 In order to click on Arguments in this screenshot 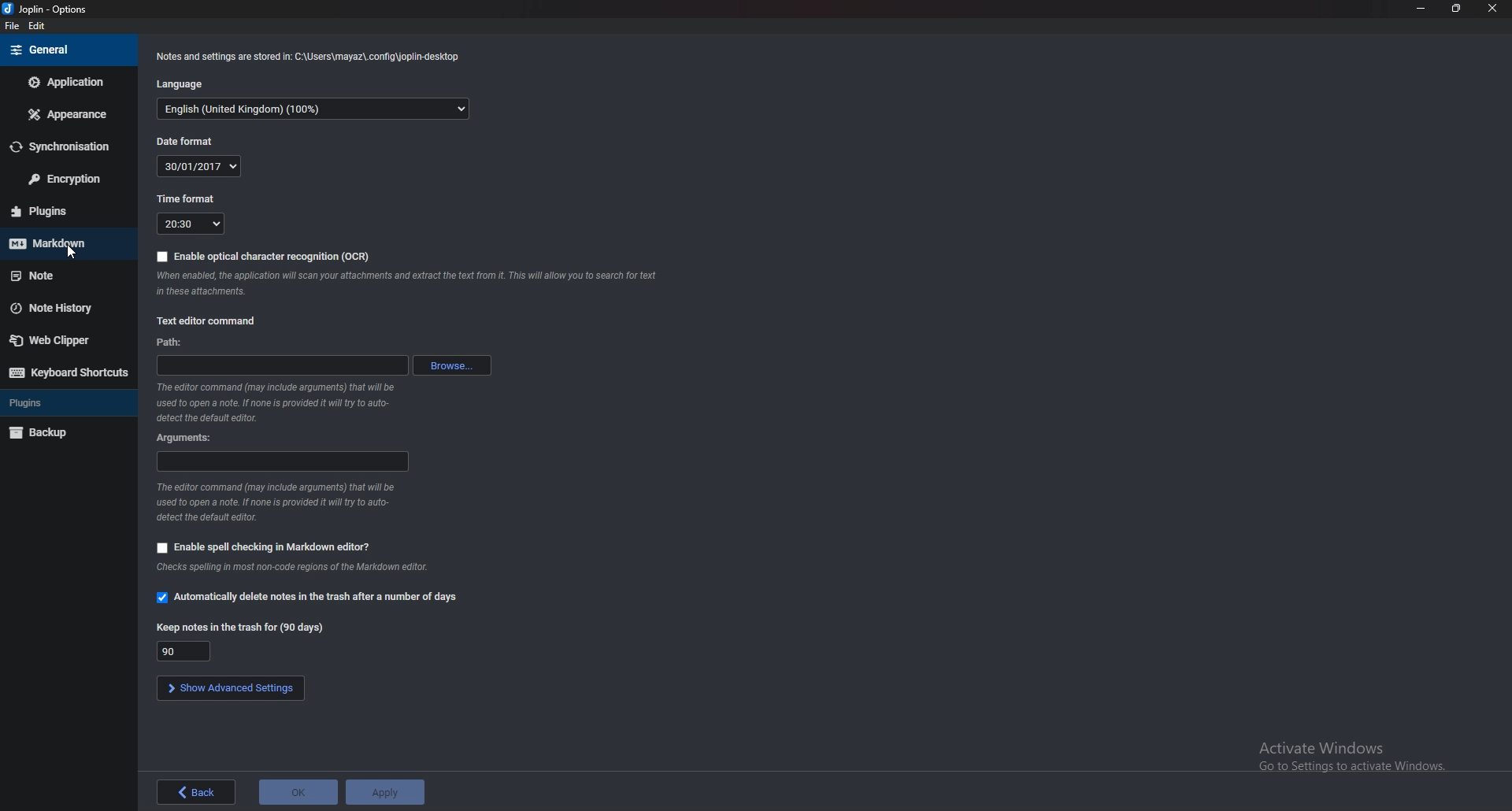, I will do `click(189, 439)`.